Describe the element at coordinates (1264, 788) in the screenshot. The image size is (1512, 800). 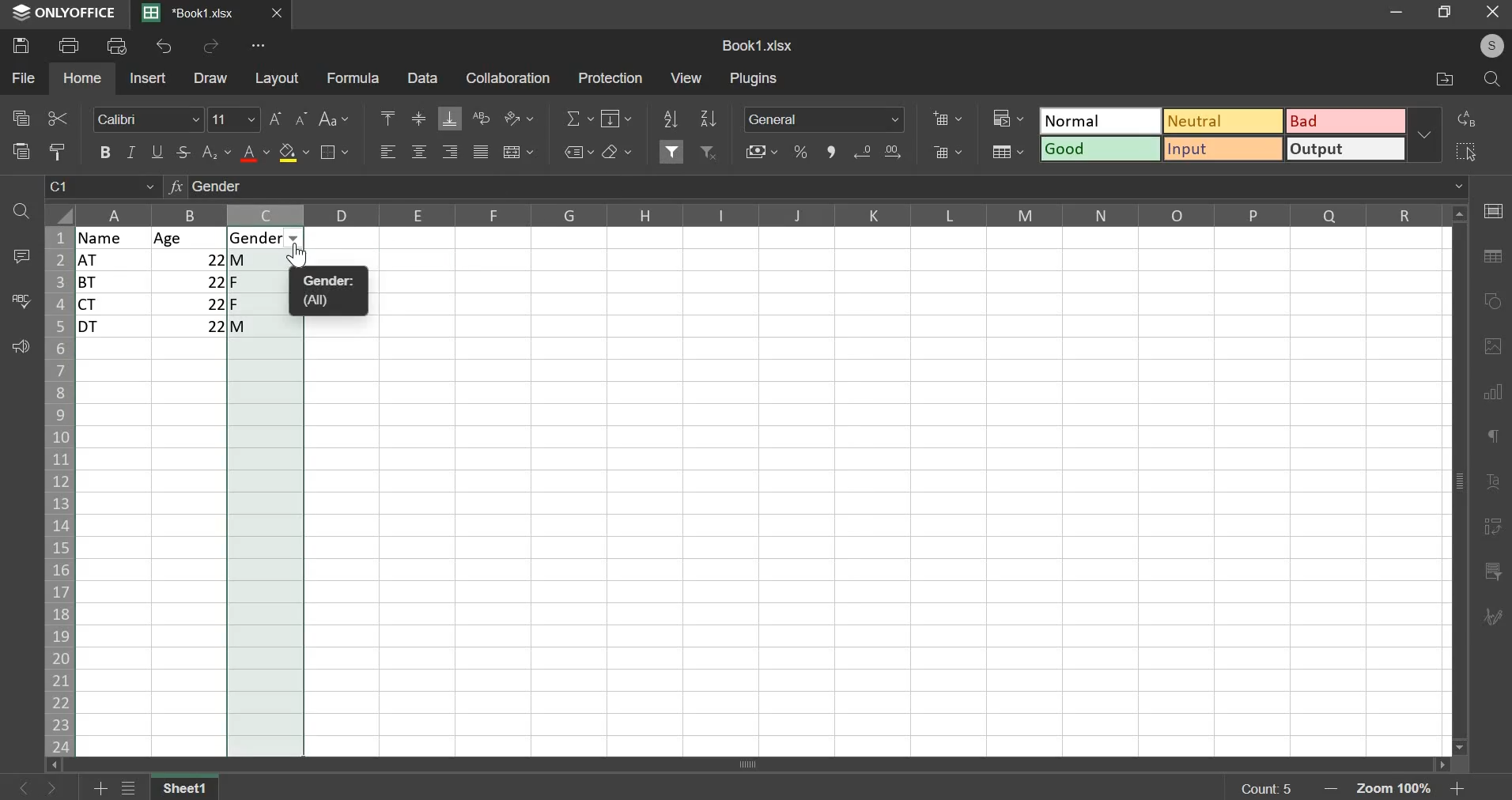
I see `count: 5` at that location.